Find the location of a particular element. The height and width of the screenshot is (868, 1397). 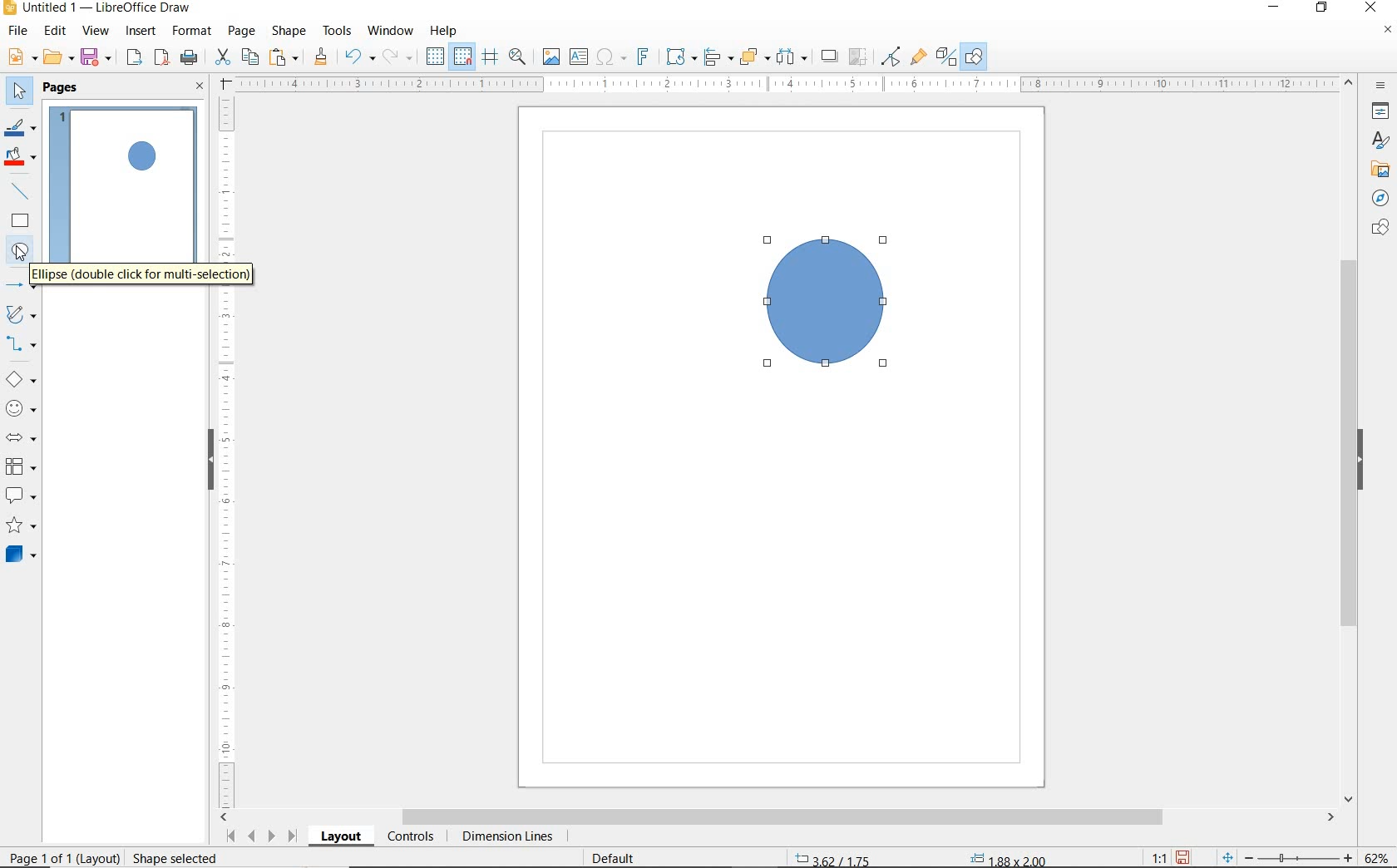

ELLIPSE is located at coordinates (152, 278).